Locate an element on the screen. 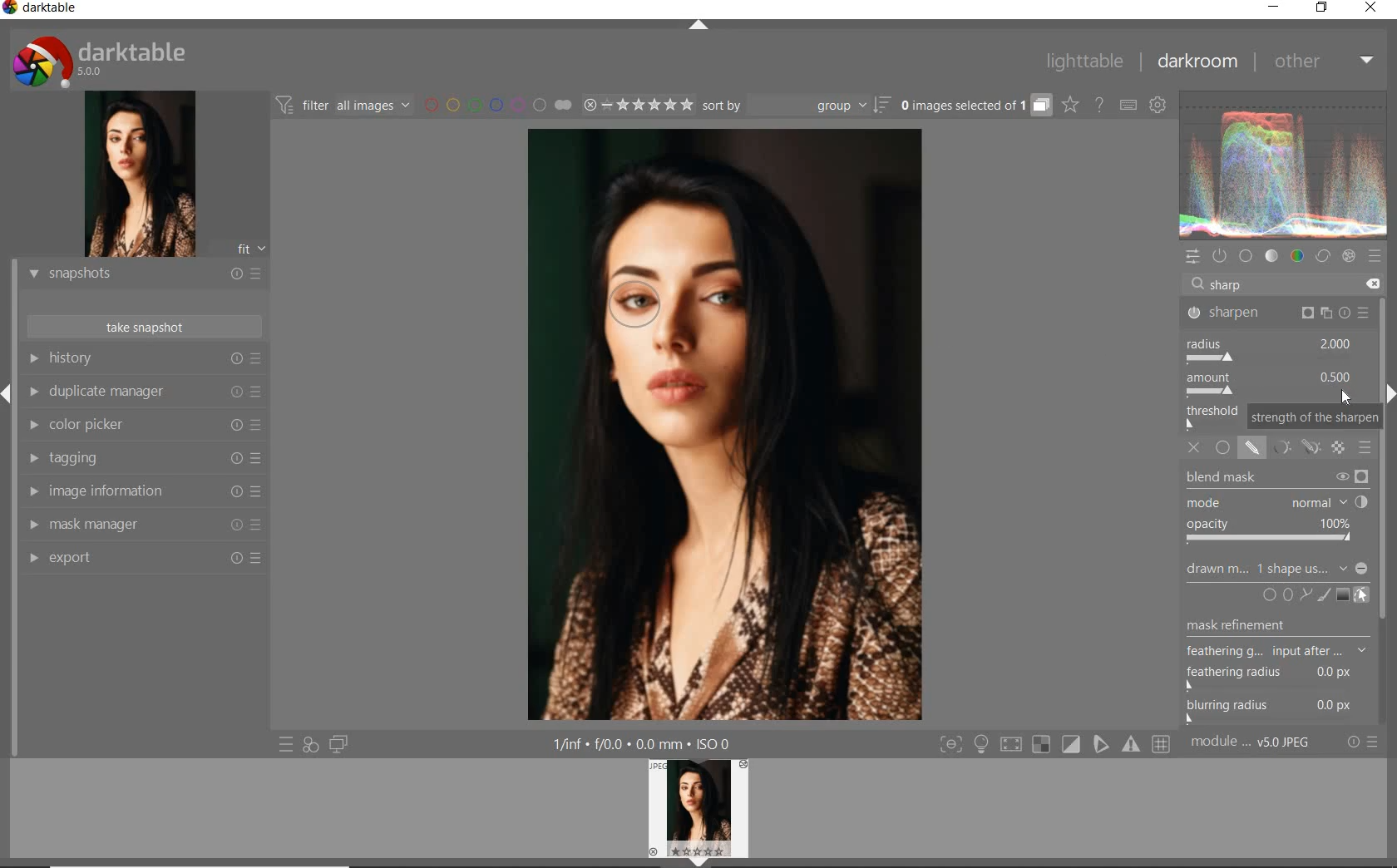 The image size is (1397, 868). blurring radius is located at coordinates (1271, 711).